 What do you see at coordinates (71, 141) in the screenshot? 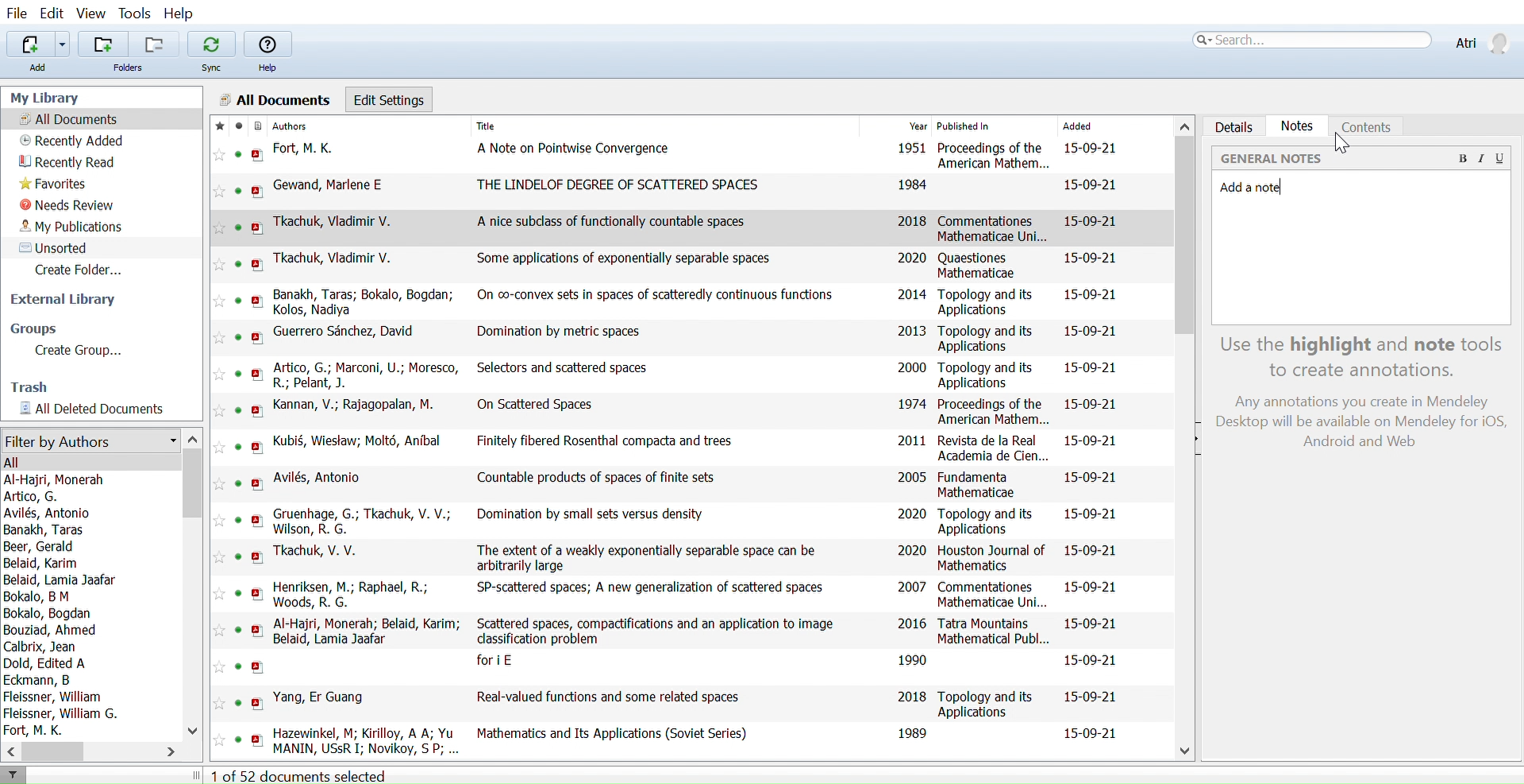
I see `Recently added` at bounding box center [71, 141].